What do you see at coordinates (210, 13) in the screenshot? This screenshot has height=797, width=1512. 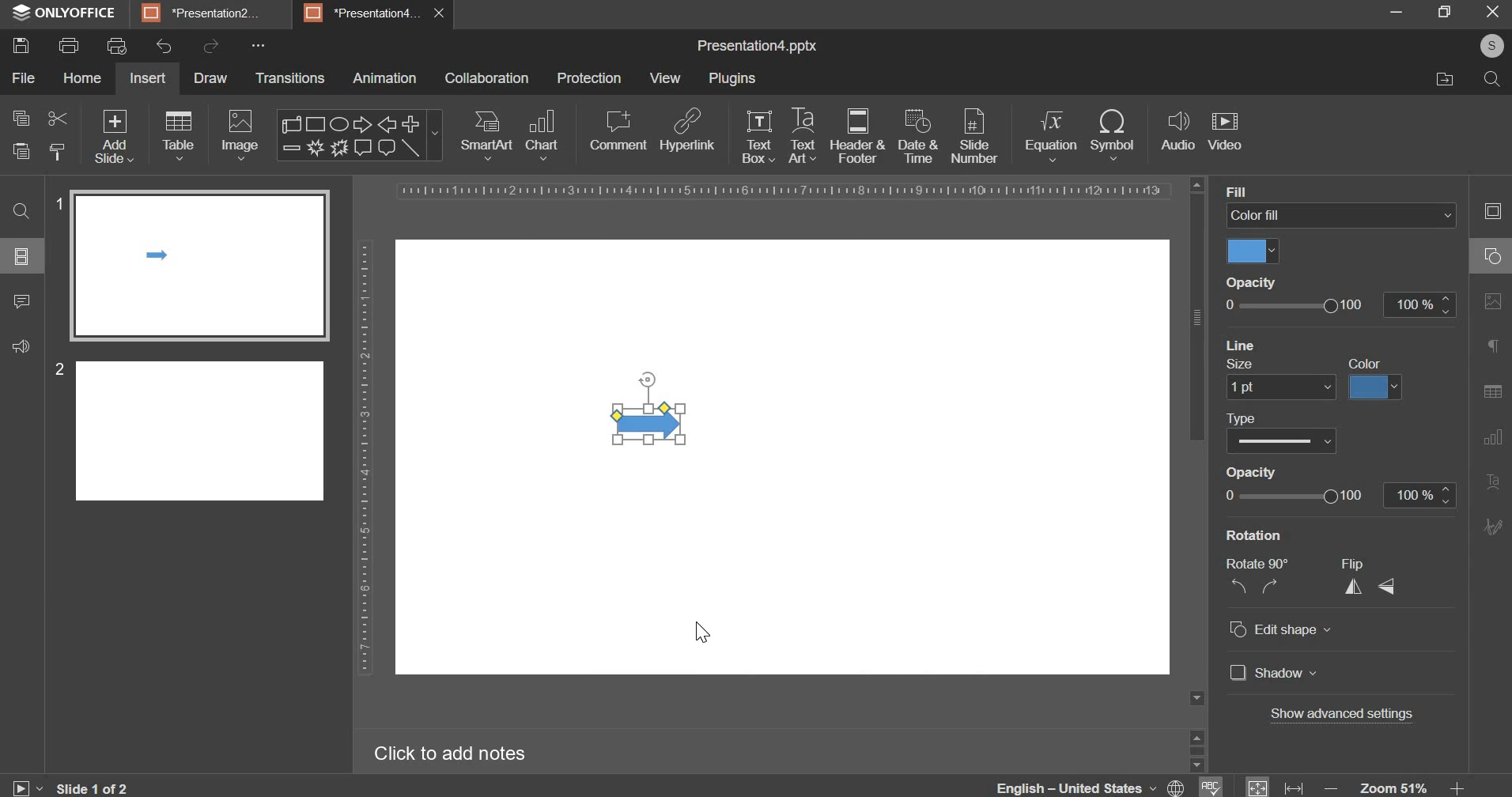 I see `BE Presentation?` at bounding box center [210, 13].